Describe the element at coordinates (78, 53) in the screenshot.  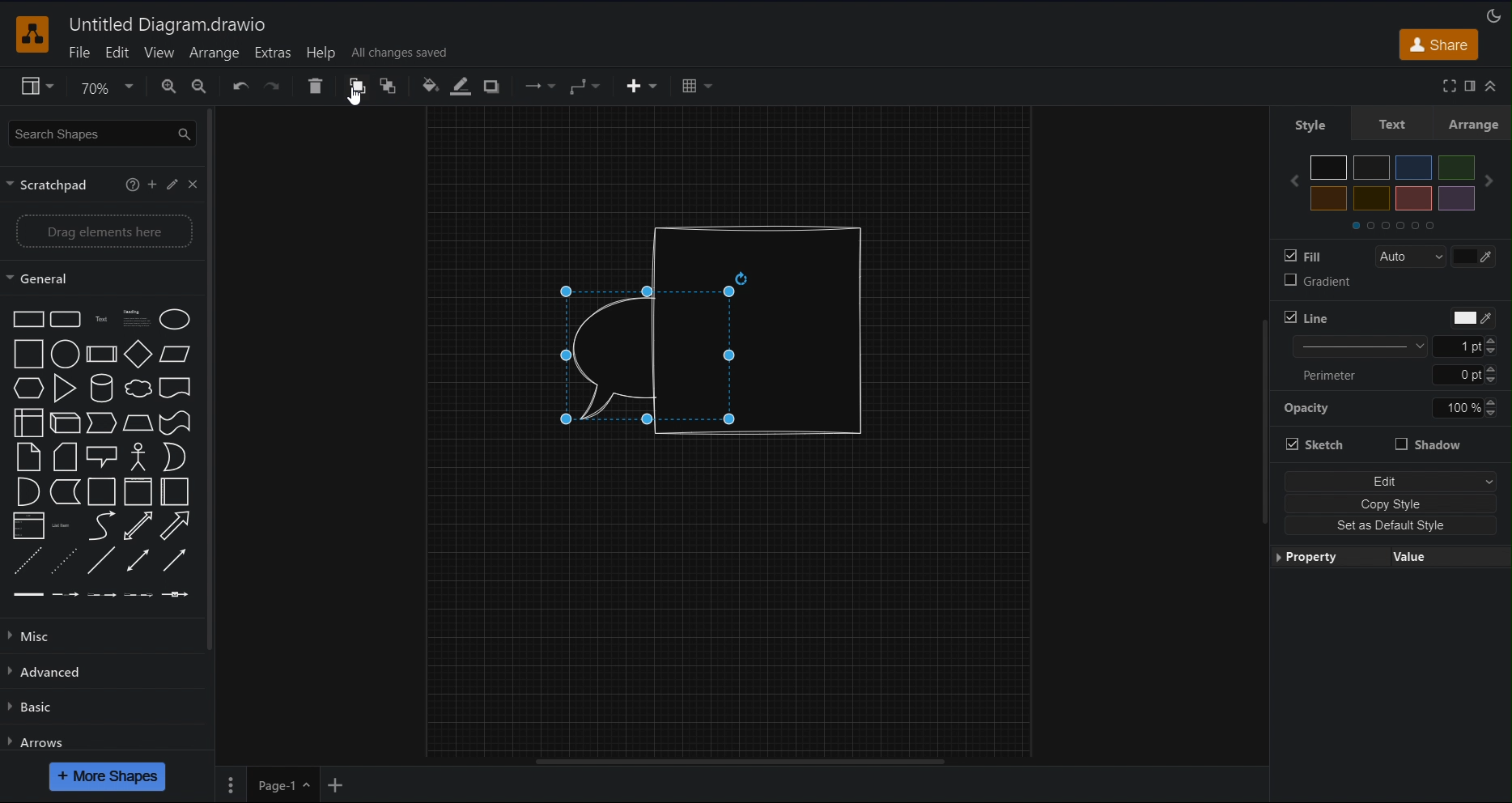
I see `File` at that location.